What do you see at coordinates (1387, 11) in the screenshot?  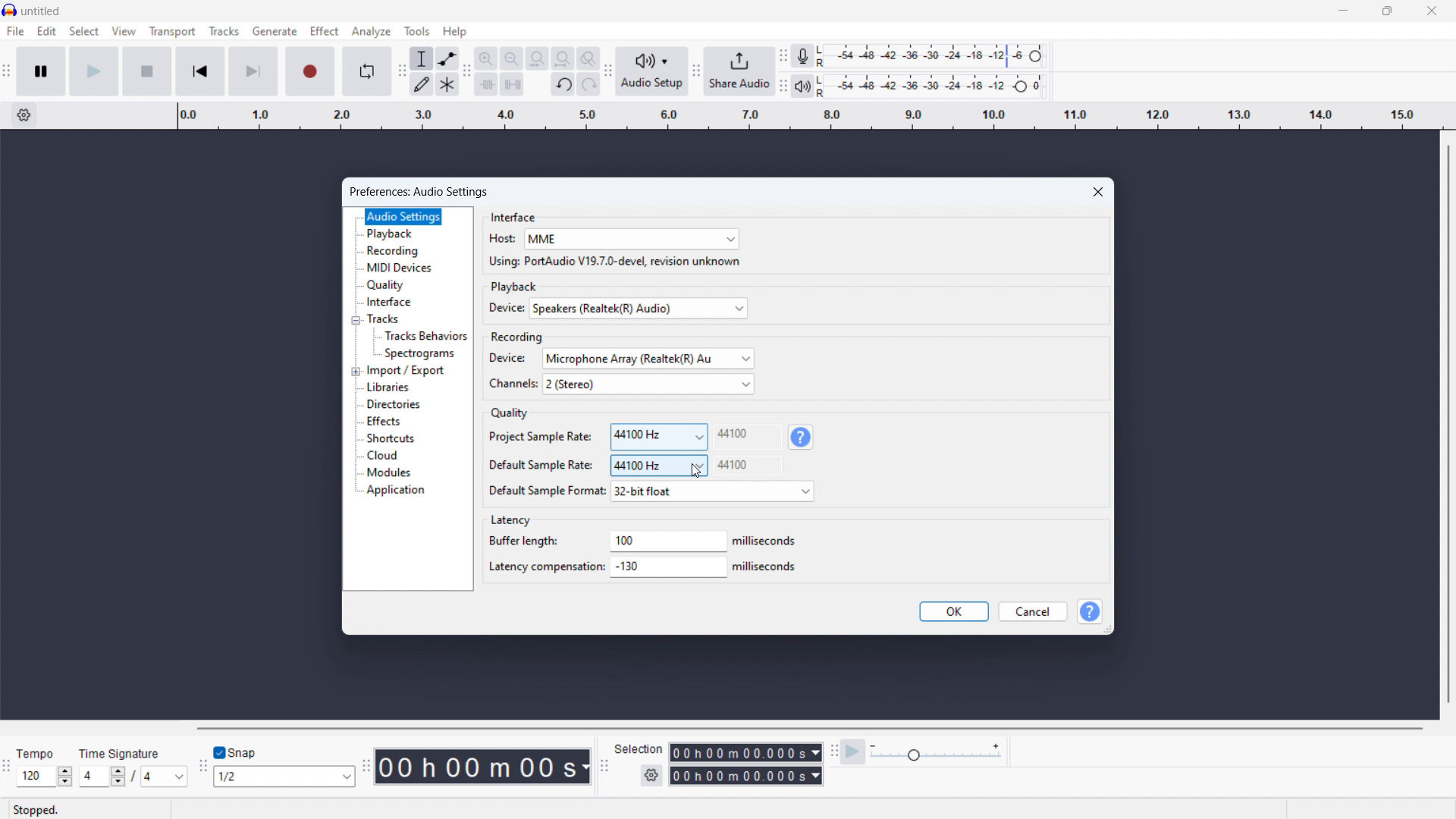 I see `maximize` at bounding box center [1387, 11].